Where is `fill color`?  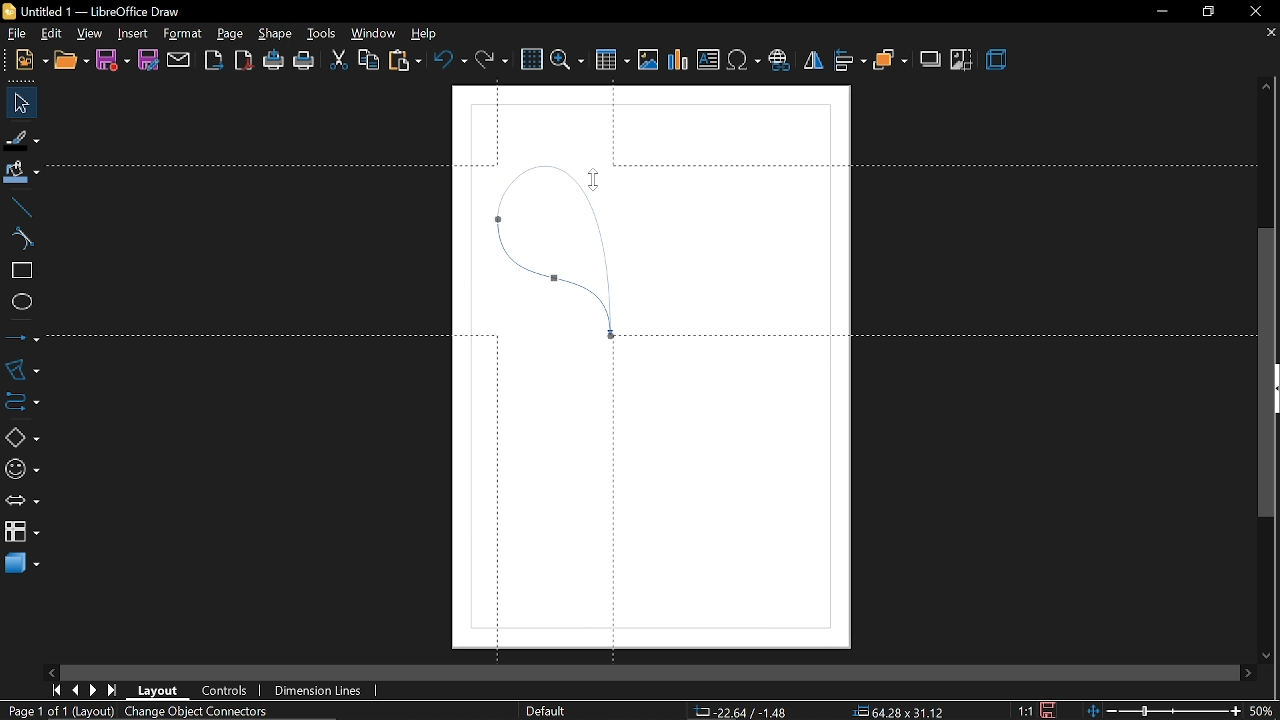
fill color is located at coordinates (22, 173).